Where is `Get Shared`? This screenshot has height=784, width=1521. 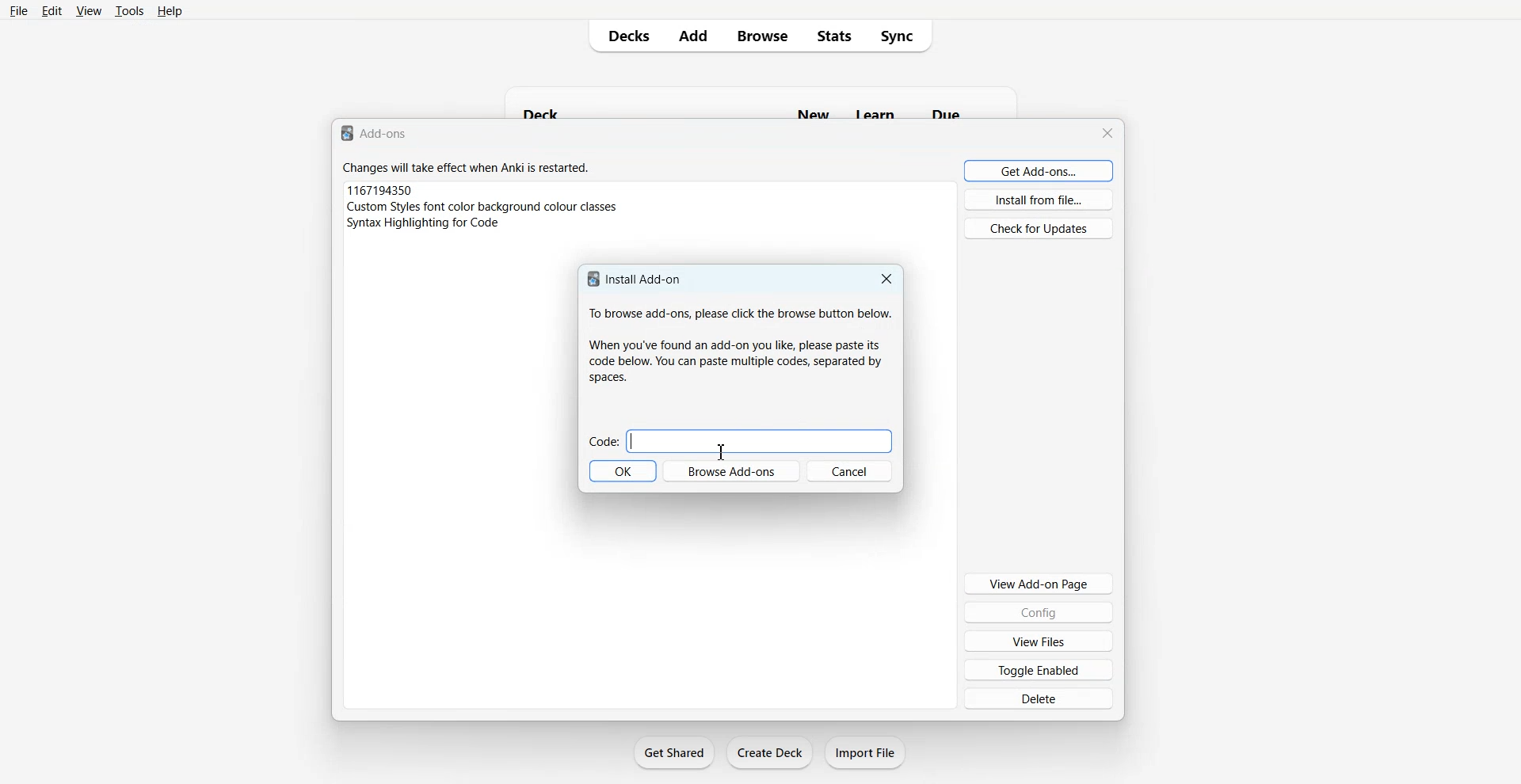
Get Shared is located at coordinates (674, 752).